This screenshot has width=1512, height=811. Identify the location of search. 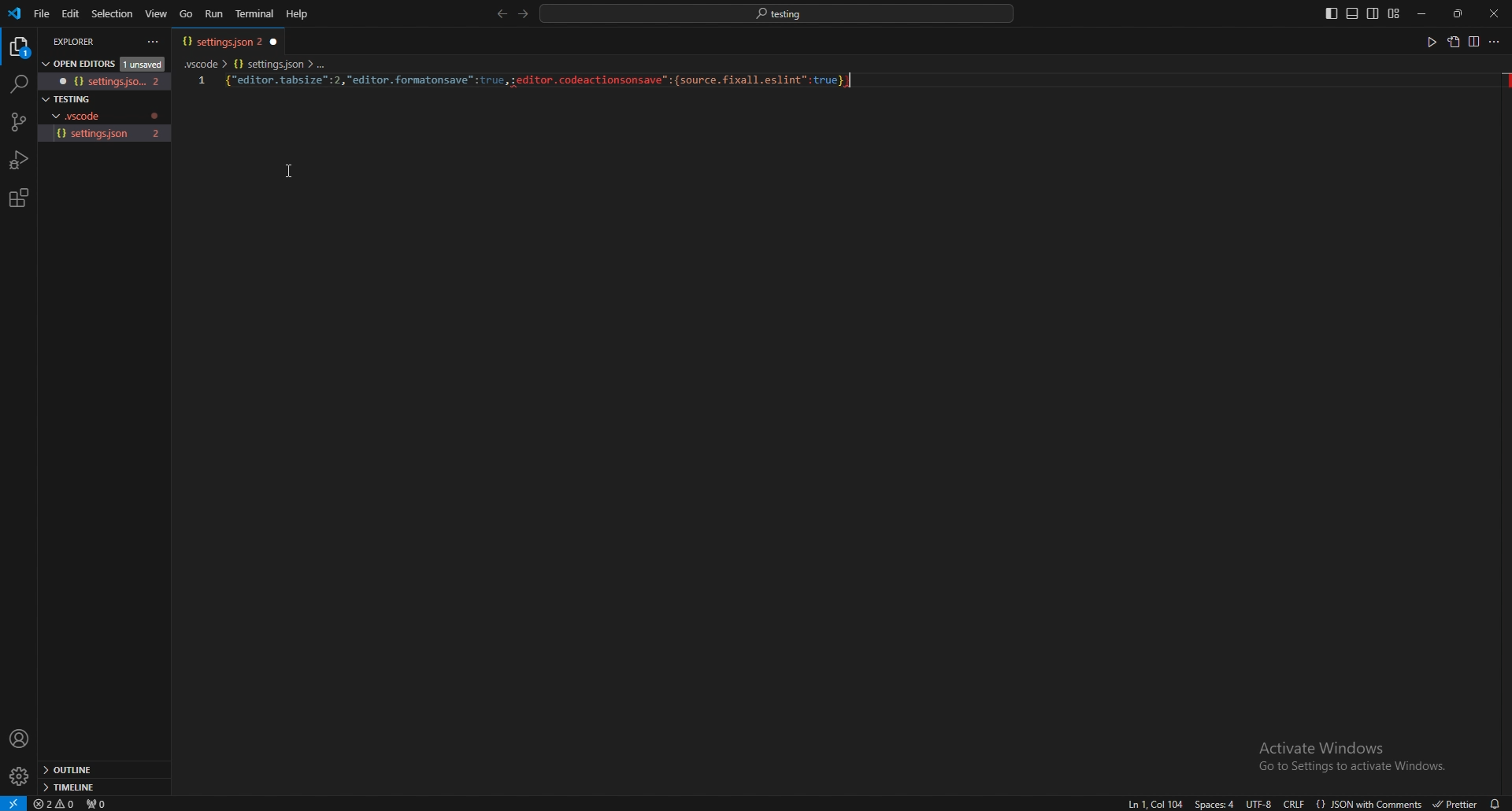
(18, 83).